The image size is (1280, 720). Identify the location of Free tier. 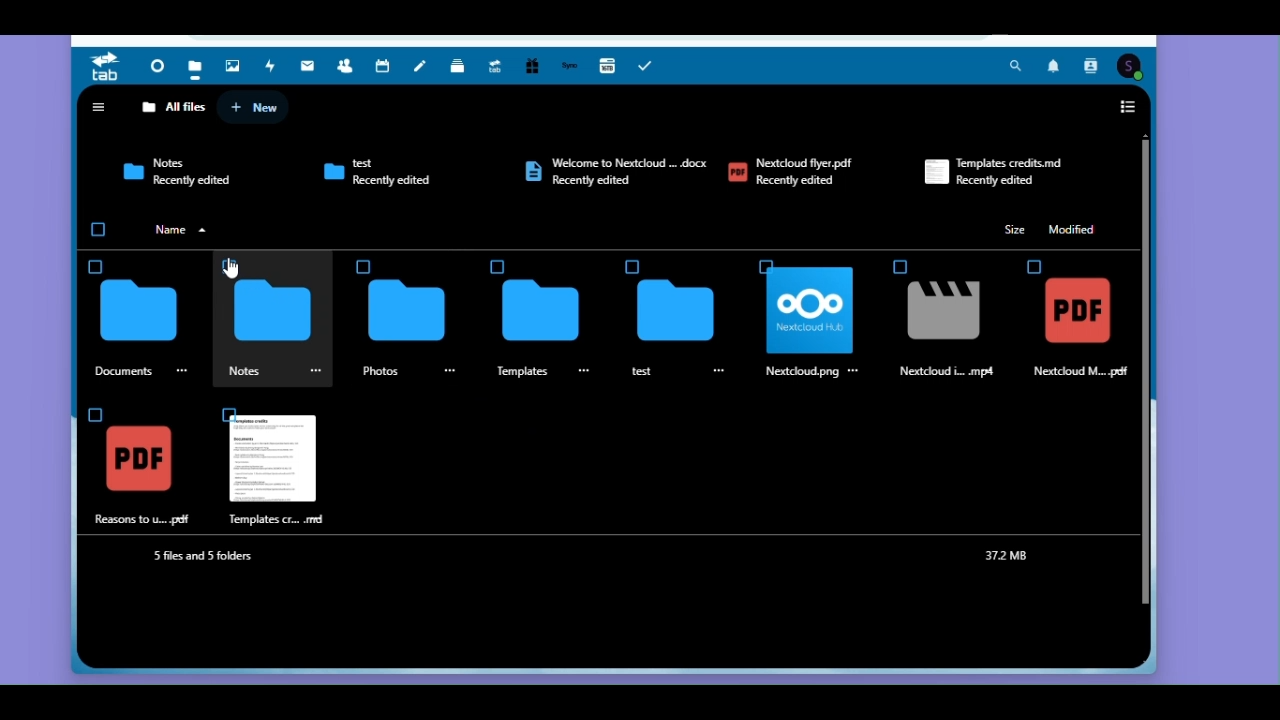
(531, 67).